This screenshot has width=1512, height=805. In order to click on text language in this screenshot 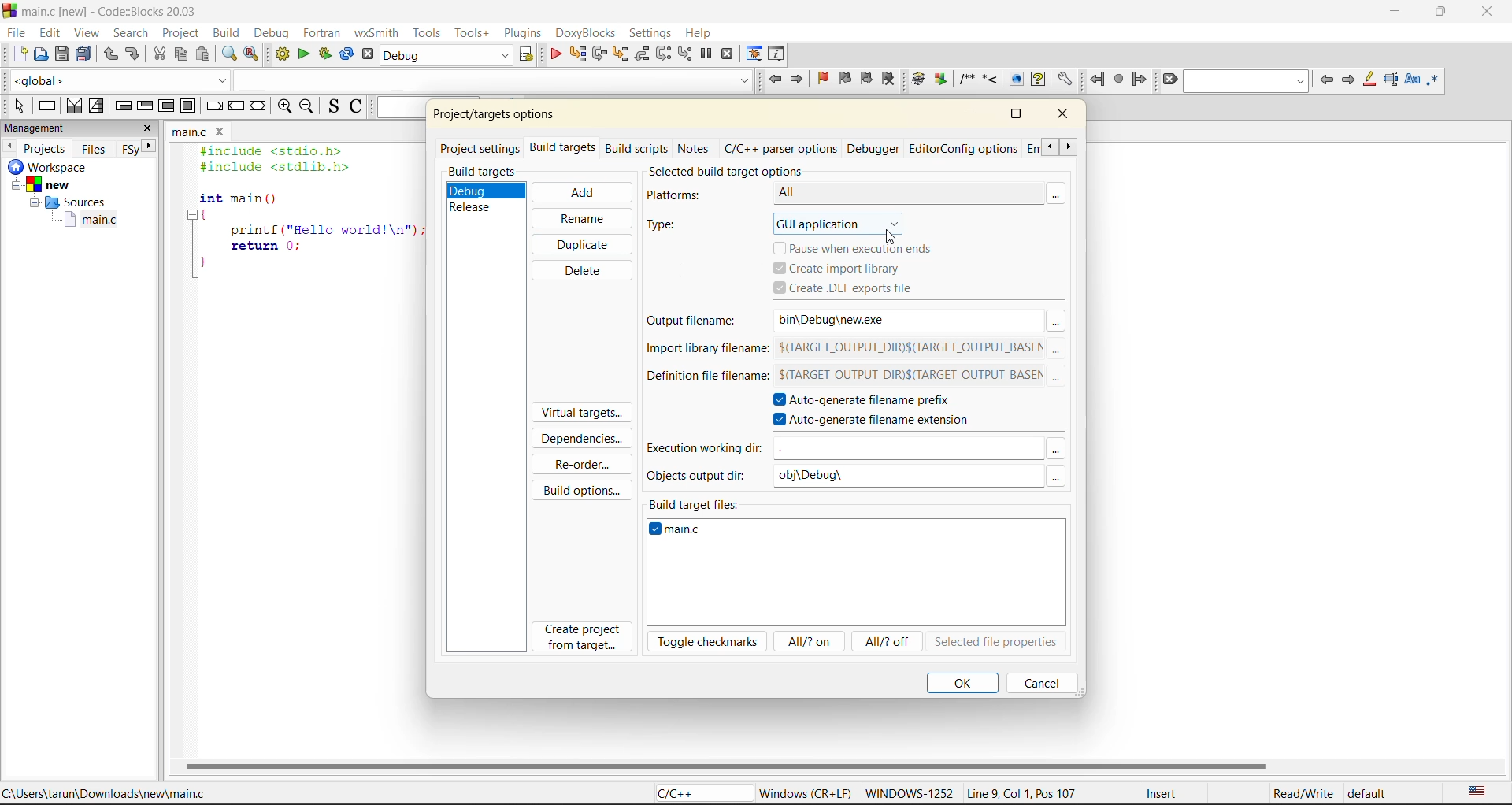, I will do `click(1480, 792)`.